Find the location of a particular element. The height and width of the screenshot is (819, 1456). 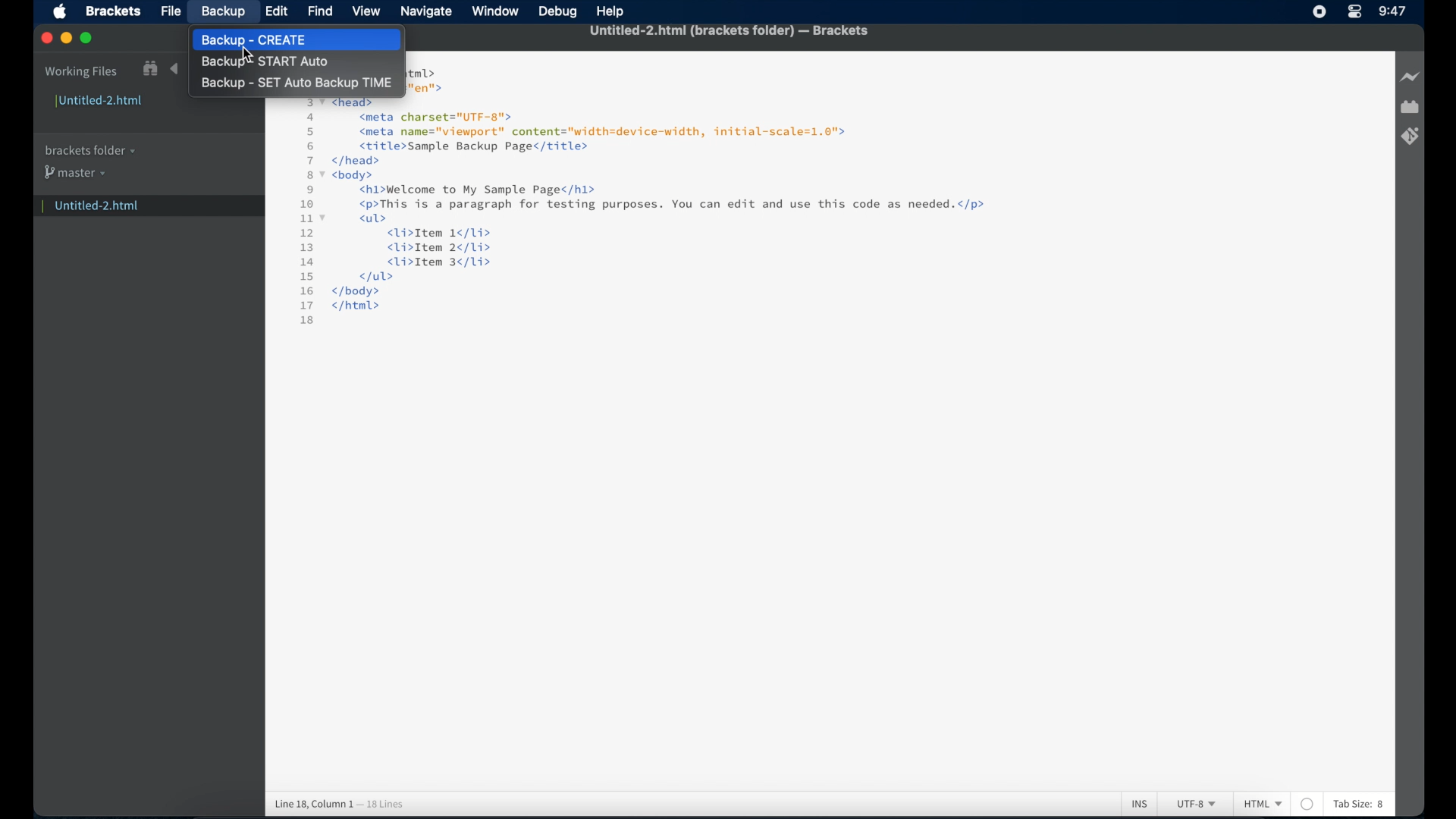

line 18, column 1 - 18 lines is located at coordinates (339, 804).